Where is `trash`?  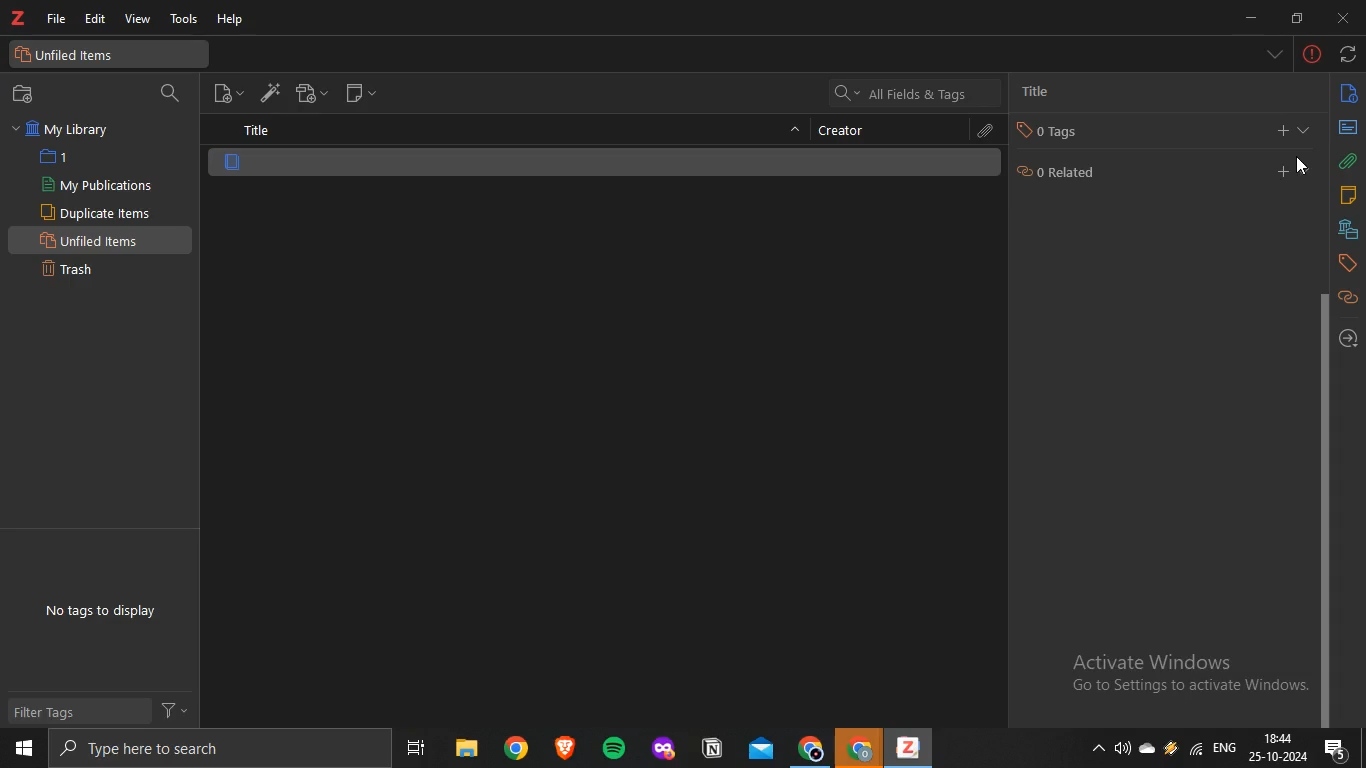 trash is located at coordinates (71, 269).